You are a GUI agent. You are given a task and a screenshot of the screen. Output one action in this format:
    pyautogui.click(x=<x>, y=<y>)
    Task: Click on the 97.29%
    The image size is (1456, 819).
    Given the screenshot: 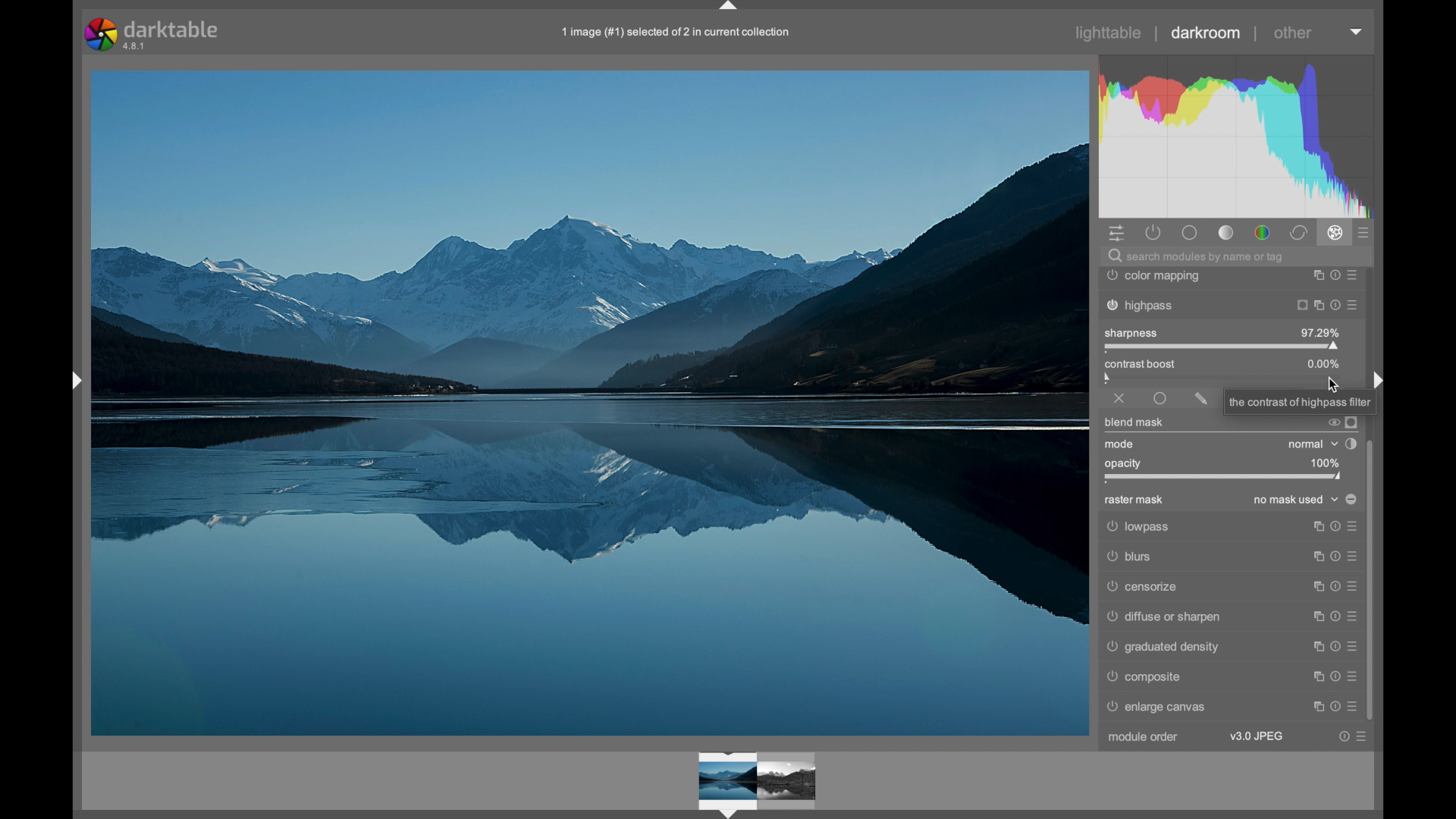 What is the action you would take?
    pyautogui.click(x=1319, y=332)
    